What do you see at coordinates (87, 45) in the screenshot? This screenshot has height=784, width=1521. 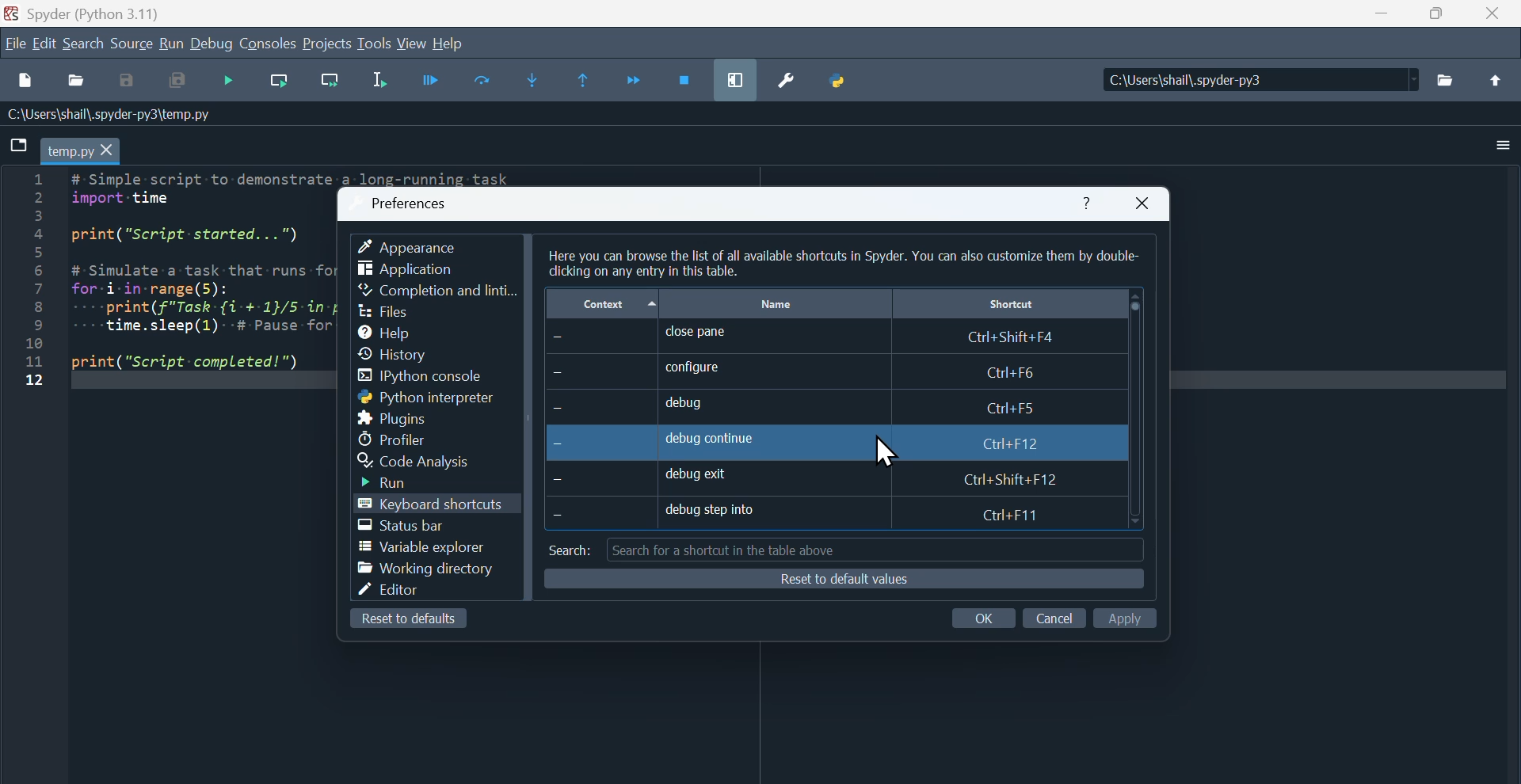 I see `Search` at bounding box center [87, 45].